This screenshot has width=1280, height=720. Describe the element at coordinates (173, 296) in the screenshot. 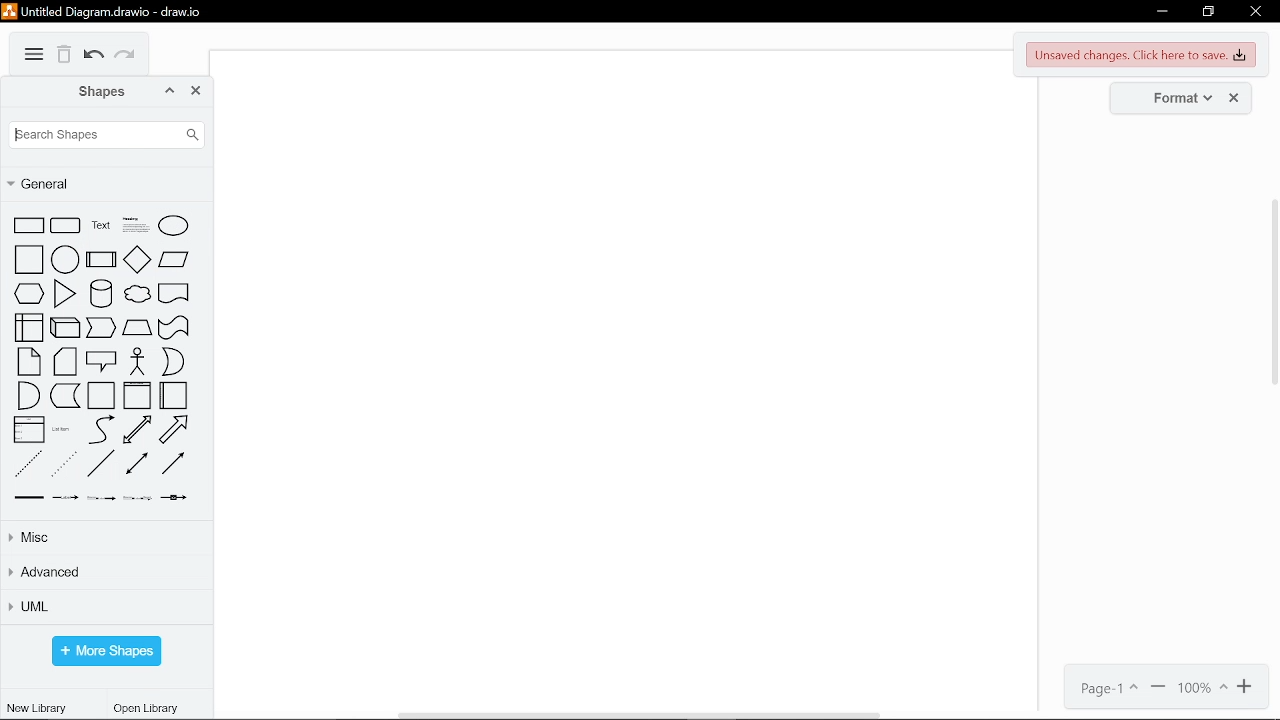

I see `document` at that location.